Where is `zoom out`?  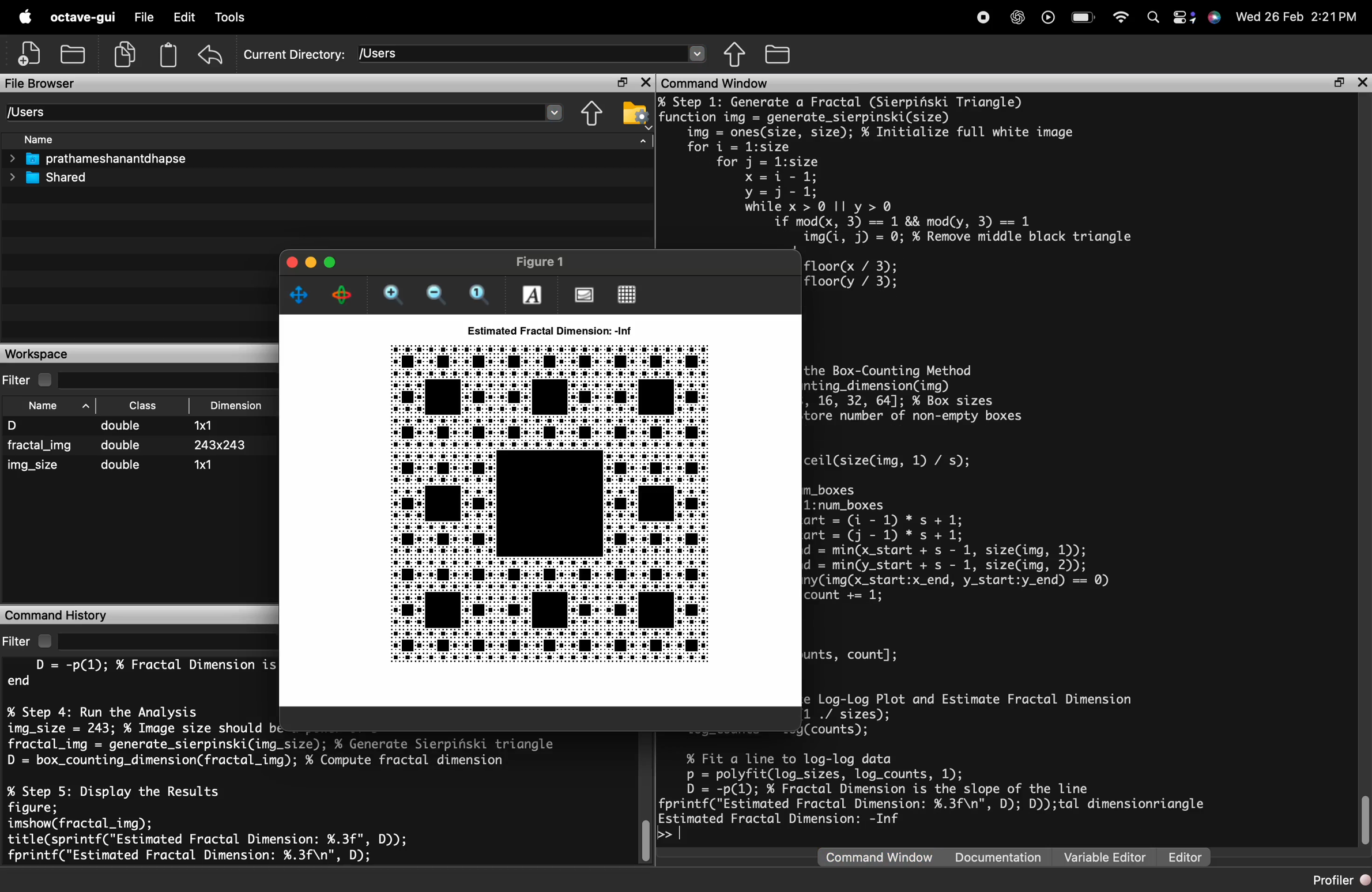
zoom out is located at coordinates (435, 293).